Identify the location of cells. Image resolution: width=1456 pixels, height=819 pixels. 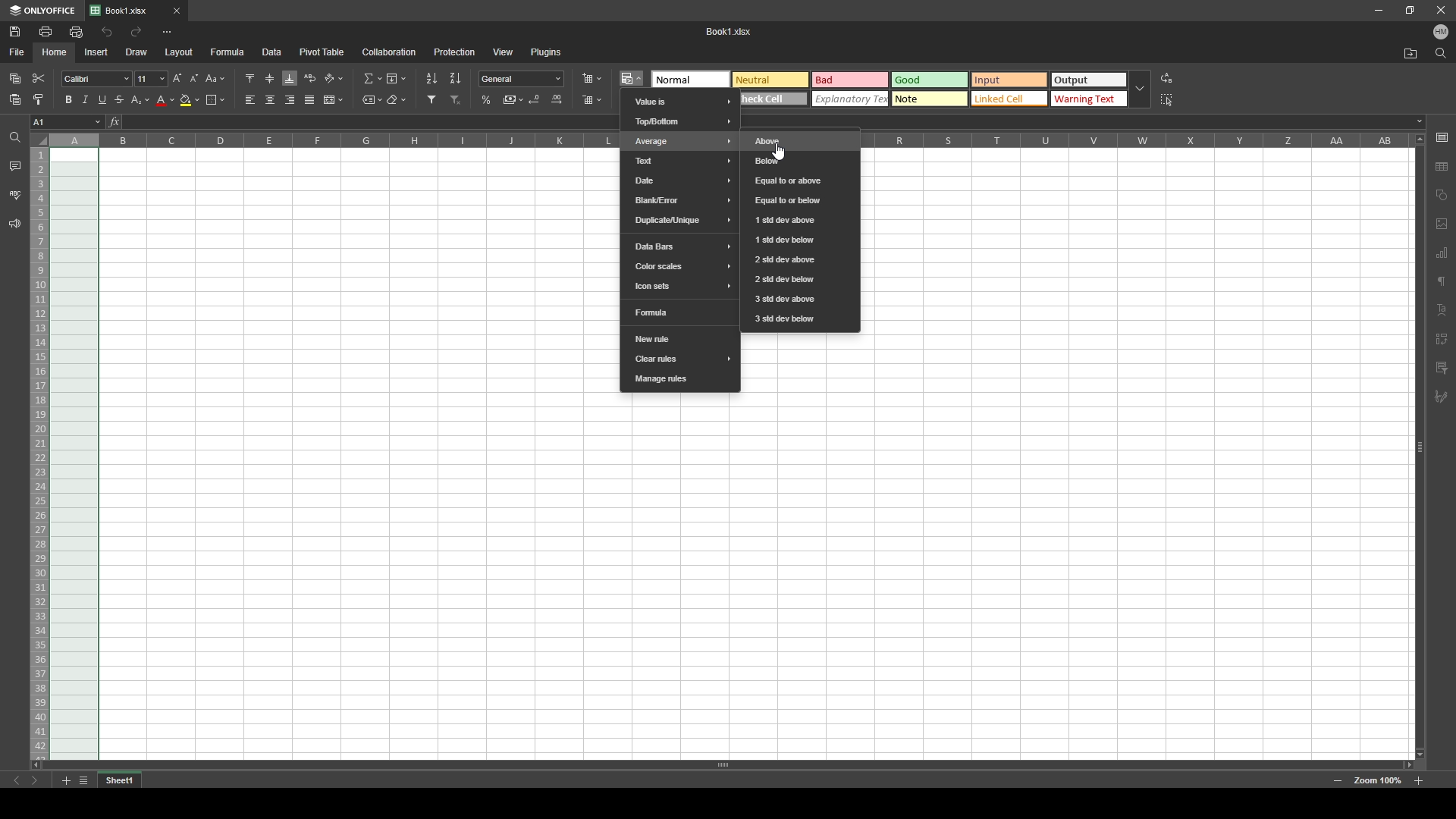
(741, 578).